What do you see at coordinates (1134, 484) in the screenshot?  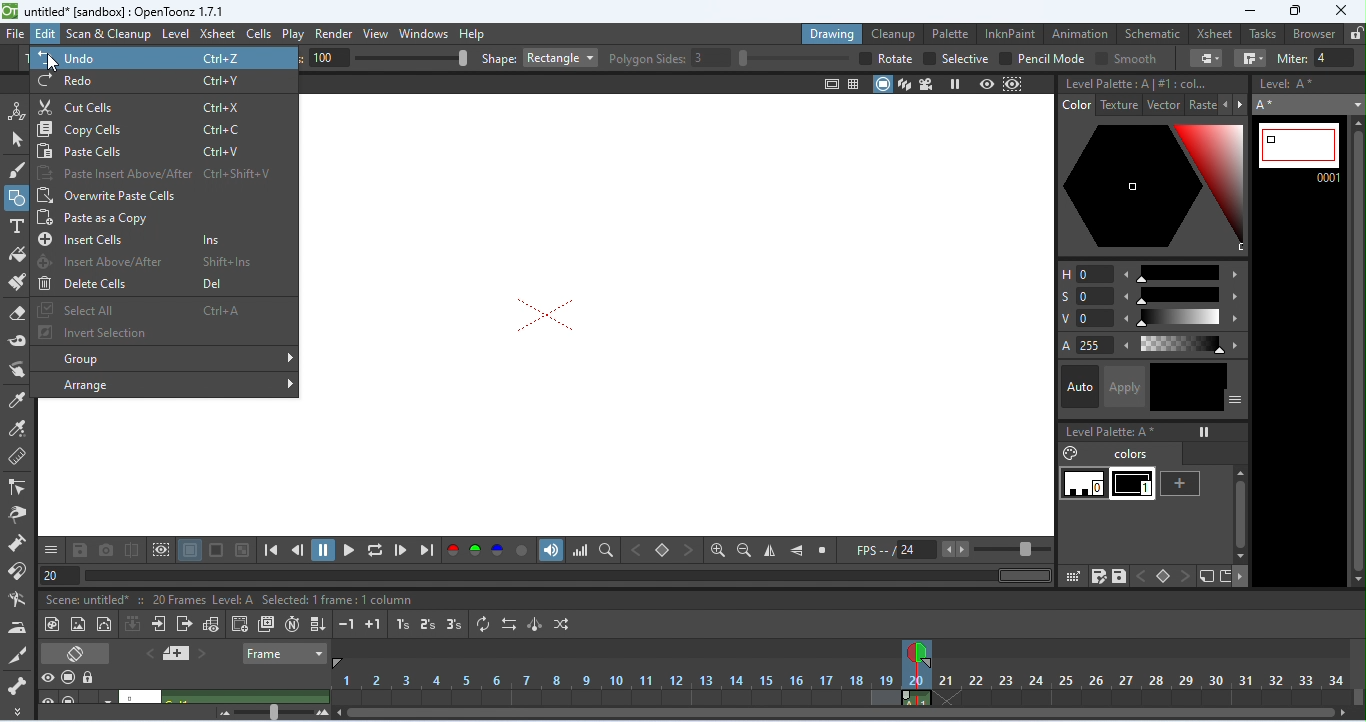 I see `1` at bounding box center [1134, 484].